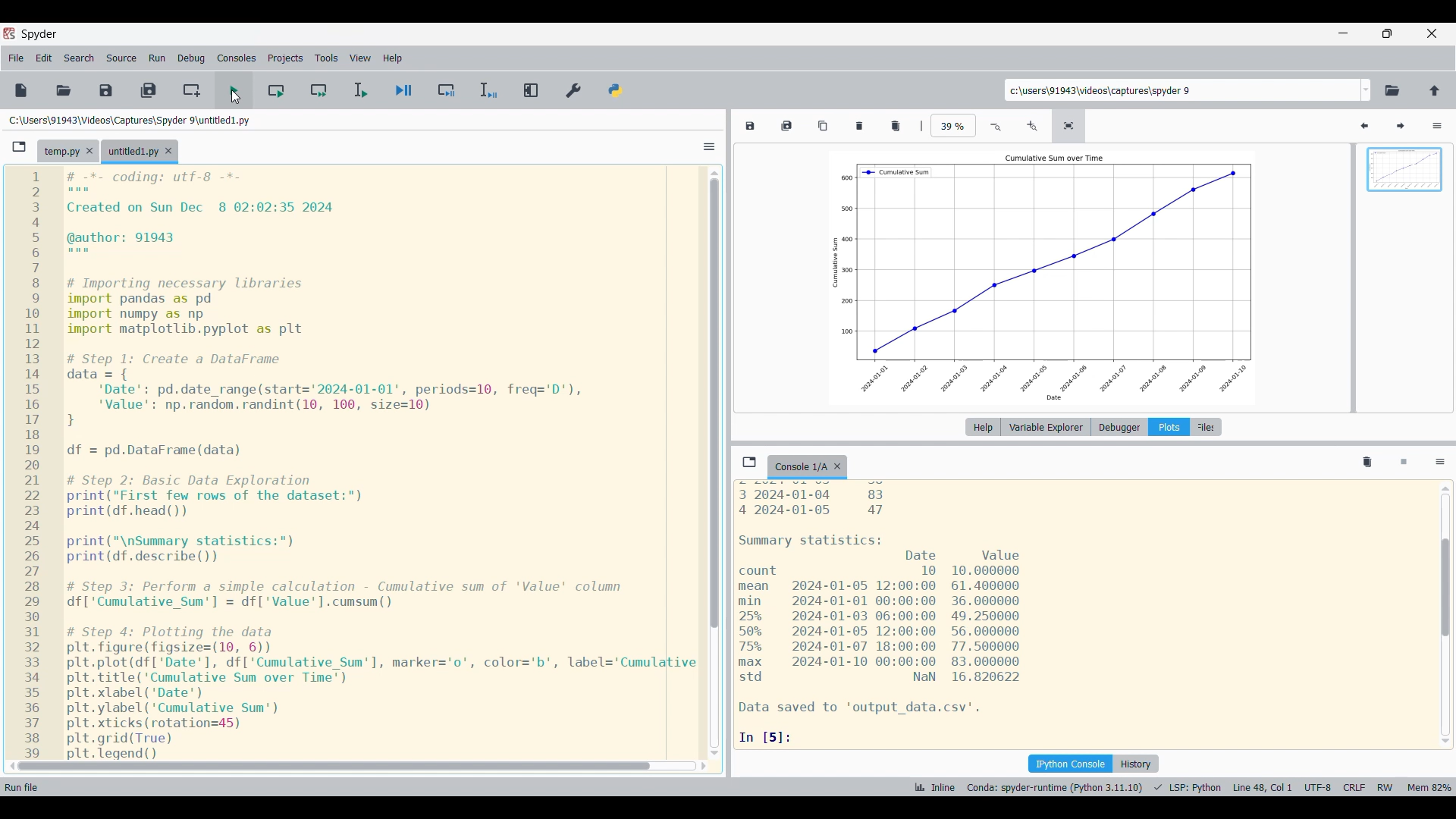  What do you see at coordinates (1343, 34) in the screenshot?
I see `Minimize` at bounding box center [1343, 34].